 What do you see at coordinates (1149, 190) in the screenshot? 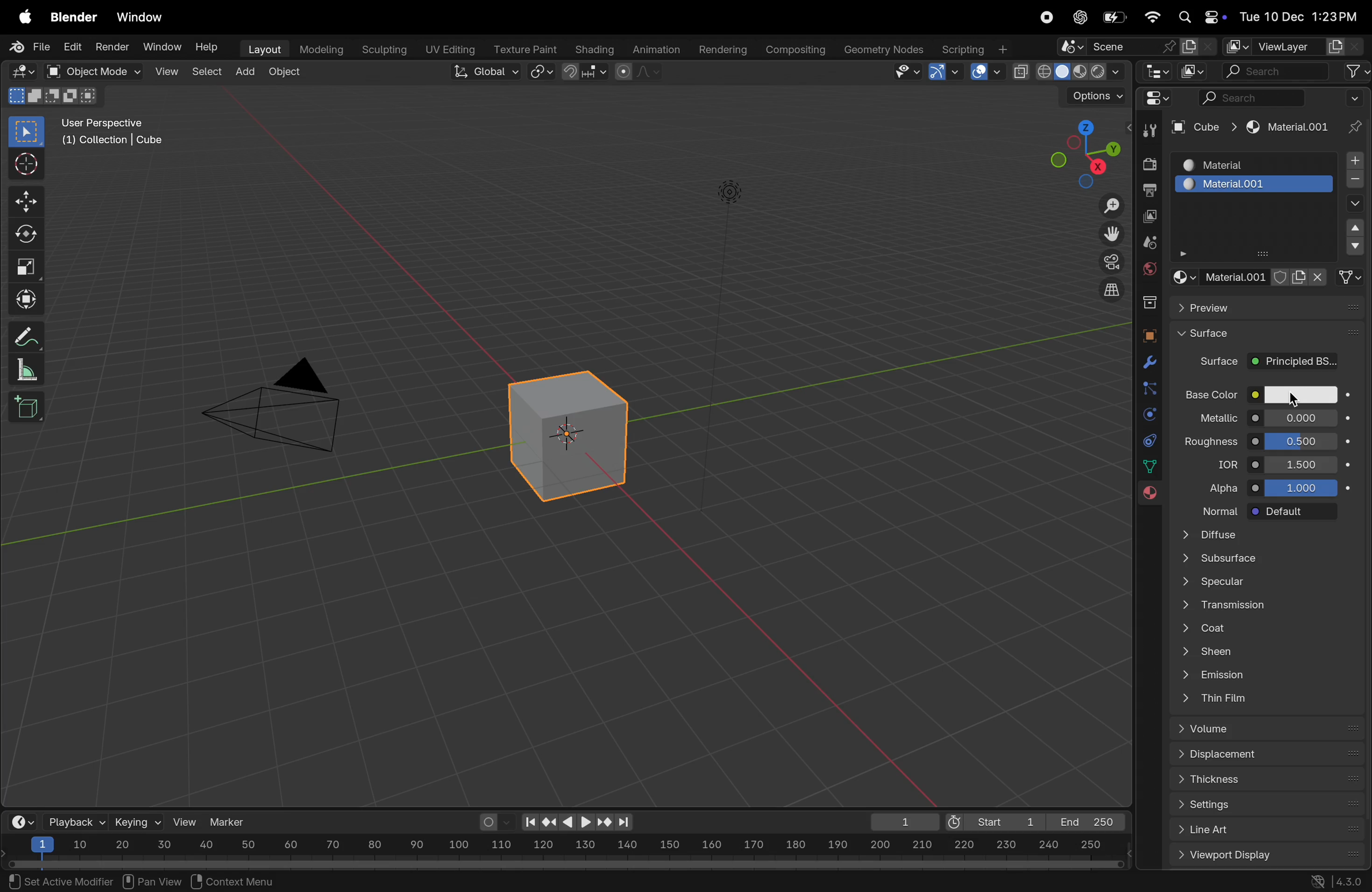
I see `output` at bounding box center [1149, 190].